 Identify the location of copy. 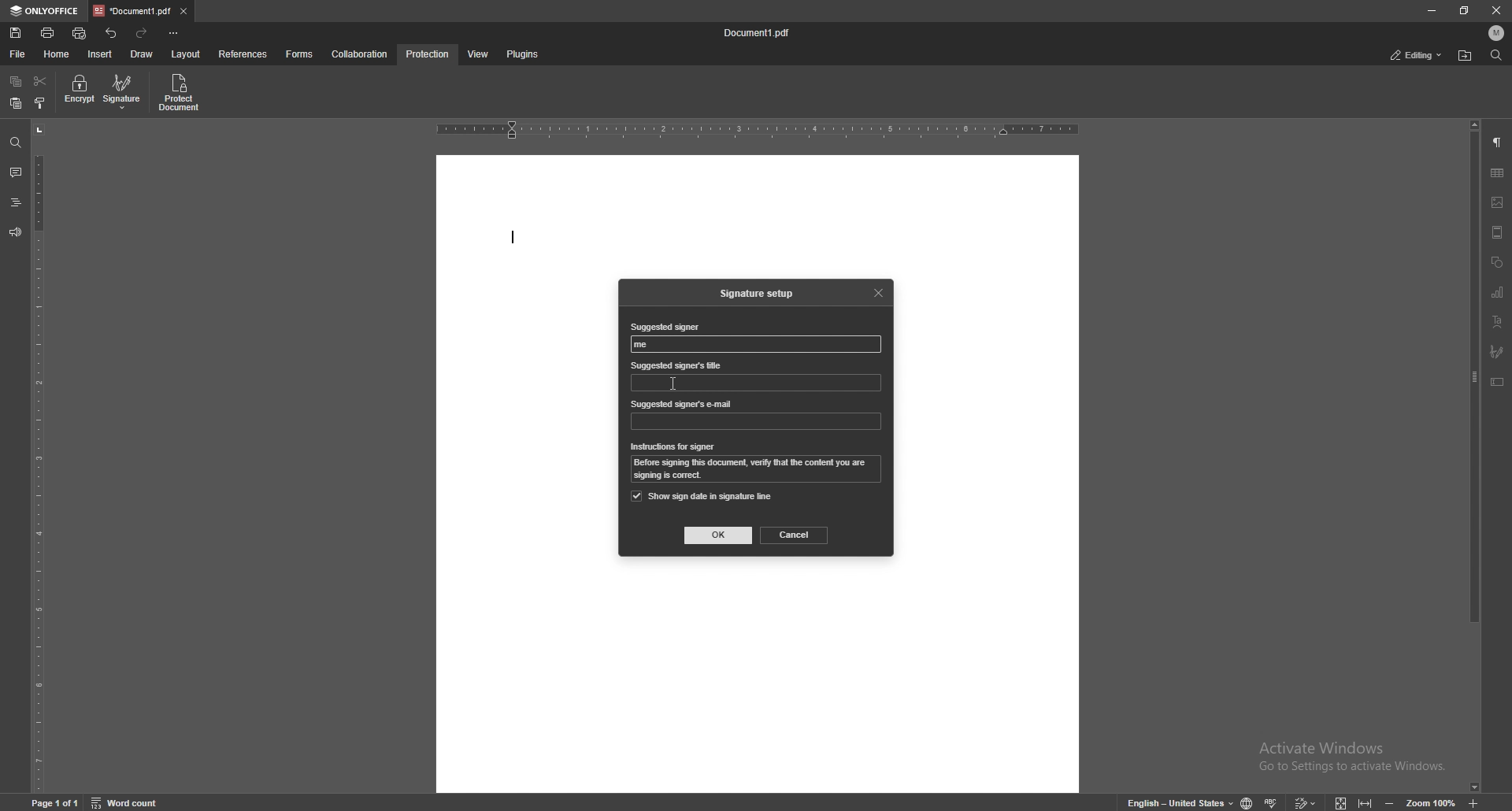
(16, 82).